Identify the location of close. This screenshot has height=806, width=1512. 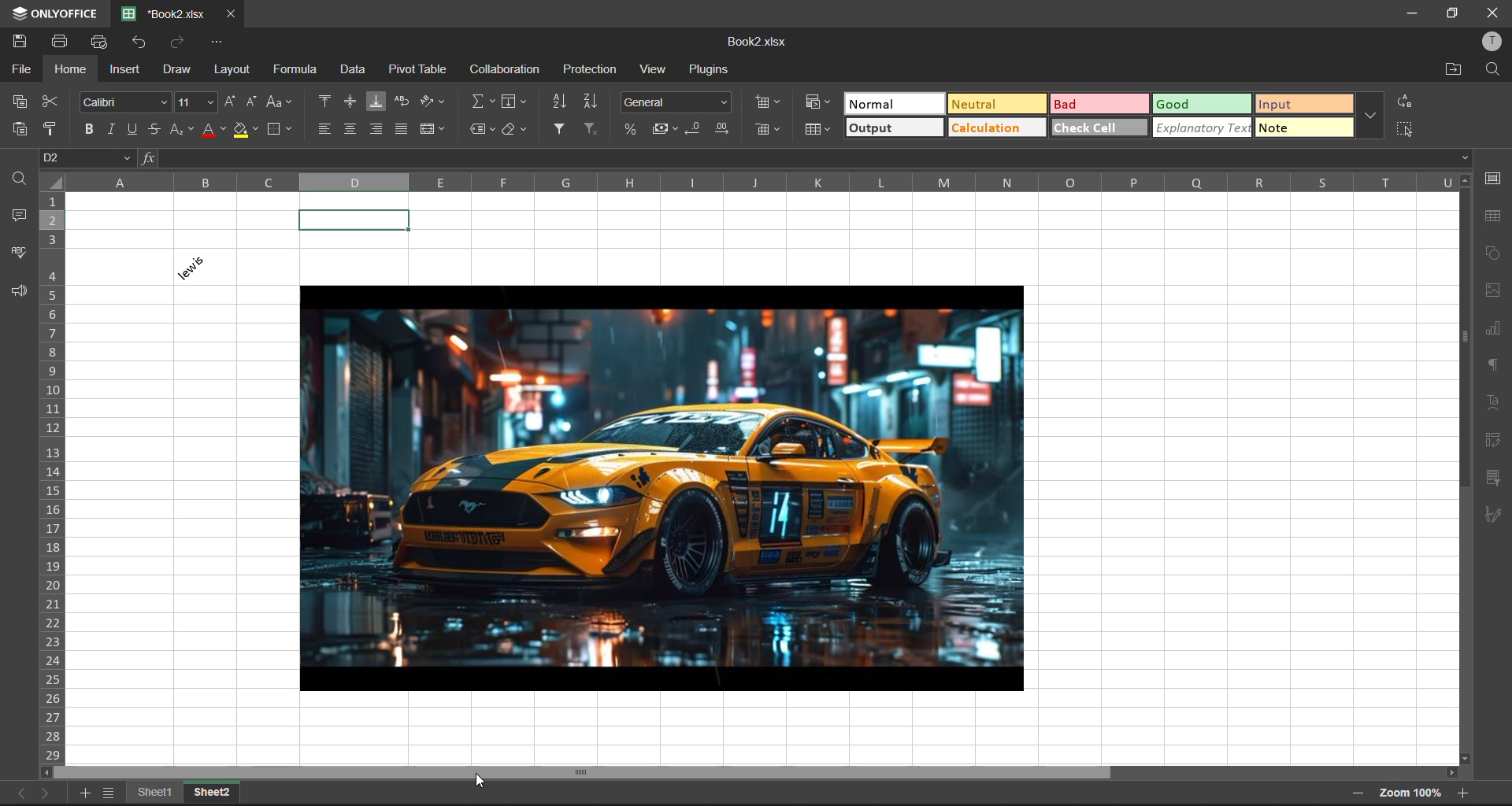
(1488, 14).